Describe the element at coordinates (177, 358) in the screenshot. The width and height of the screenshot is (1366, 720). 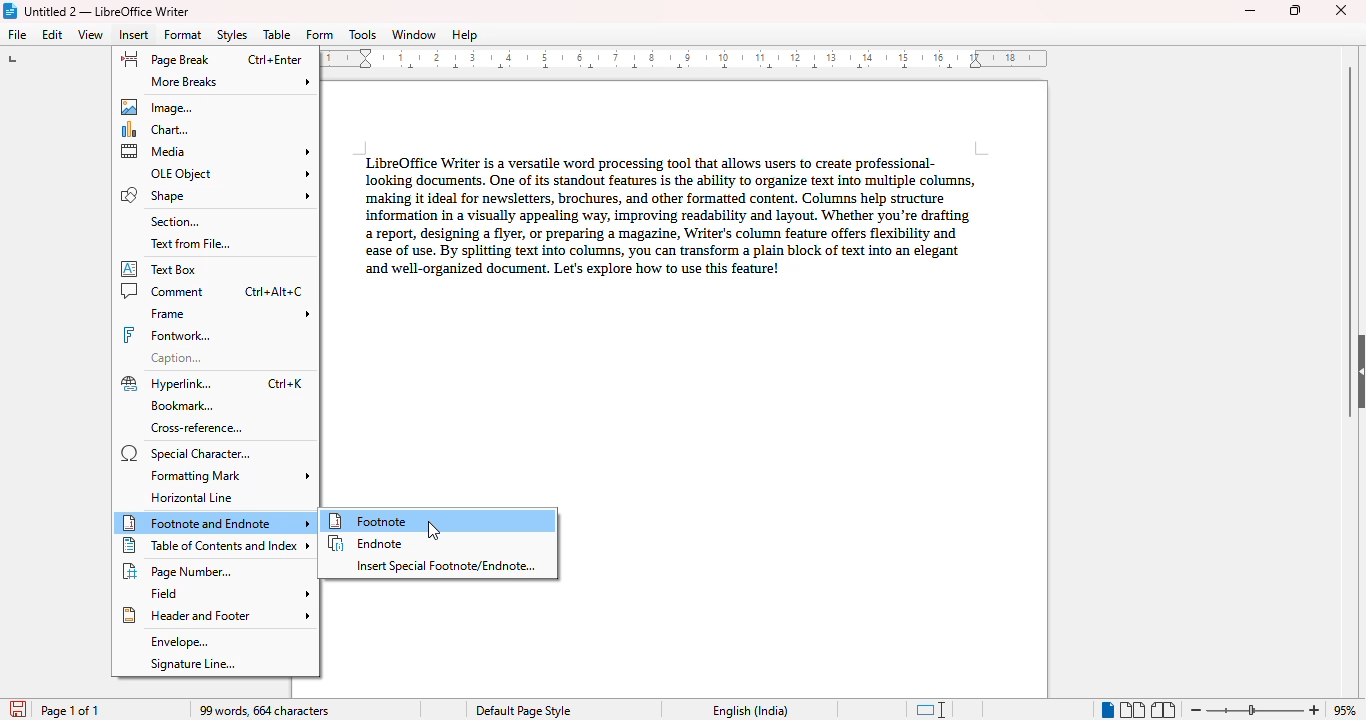
I see `caption` at that location.